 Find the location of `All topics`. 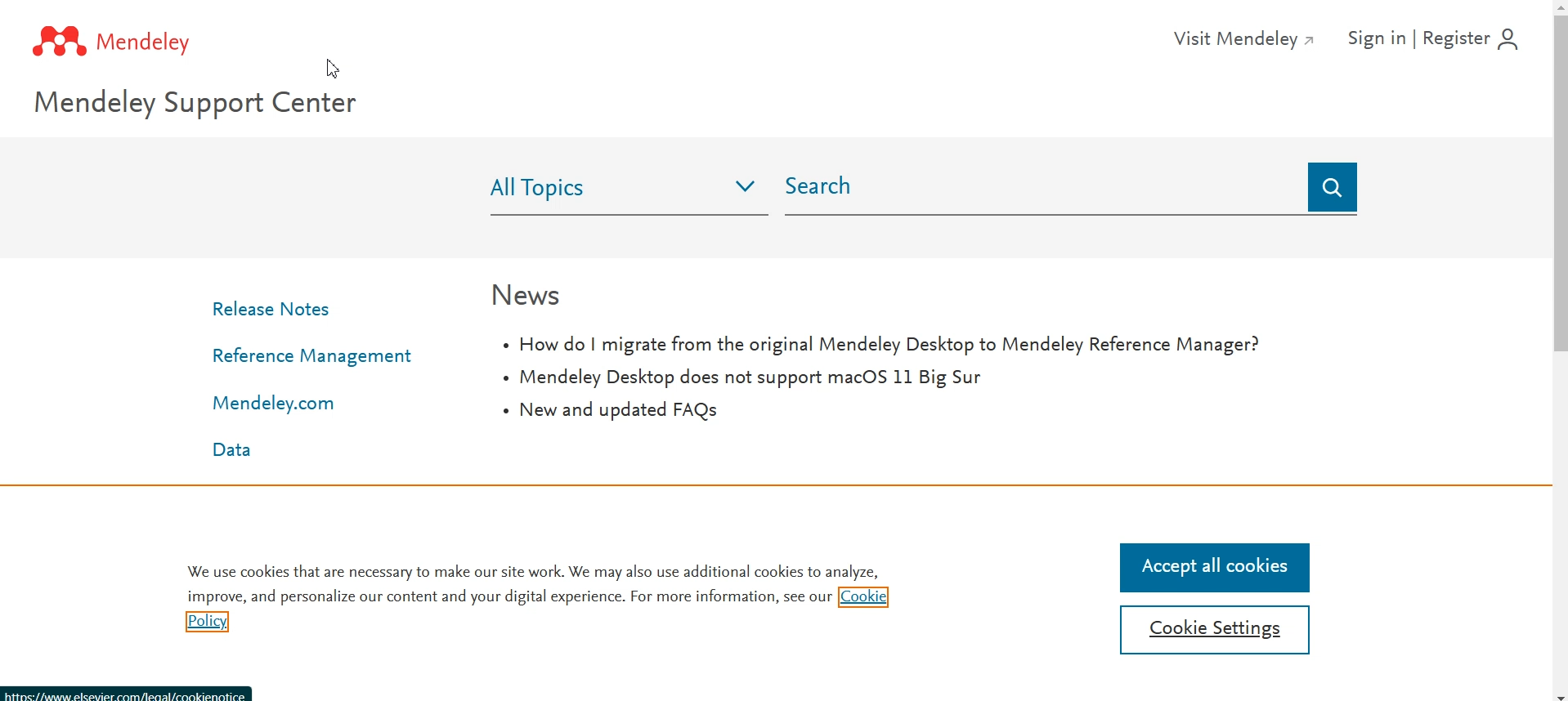

All topics is located at coordinates (629, 190).